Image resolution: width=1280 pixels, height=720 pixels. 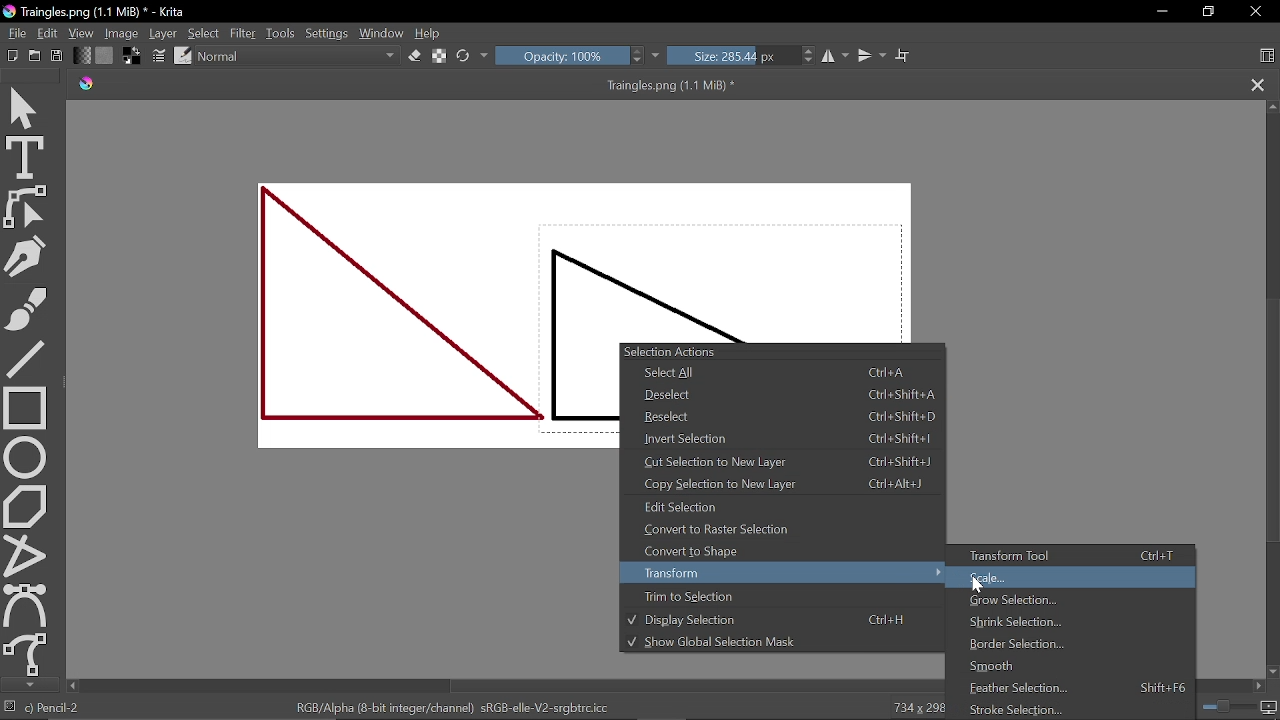 I want to click on Freehand path tool, so click(x=25, y=653).